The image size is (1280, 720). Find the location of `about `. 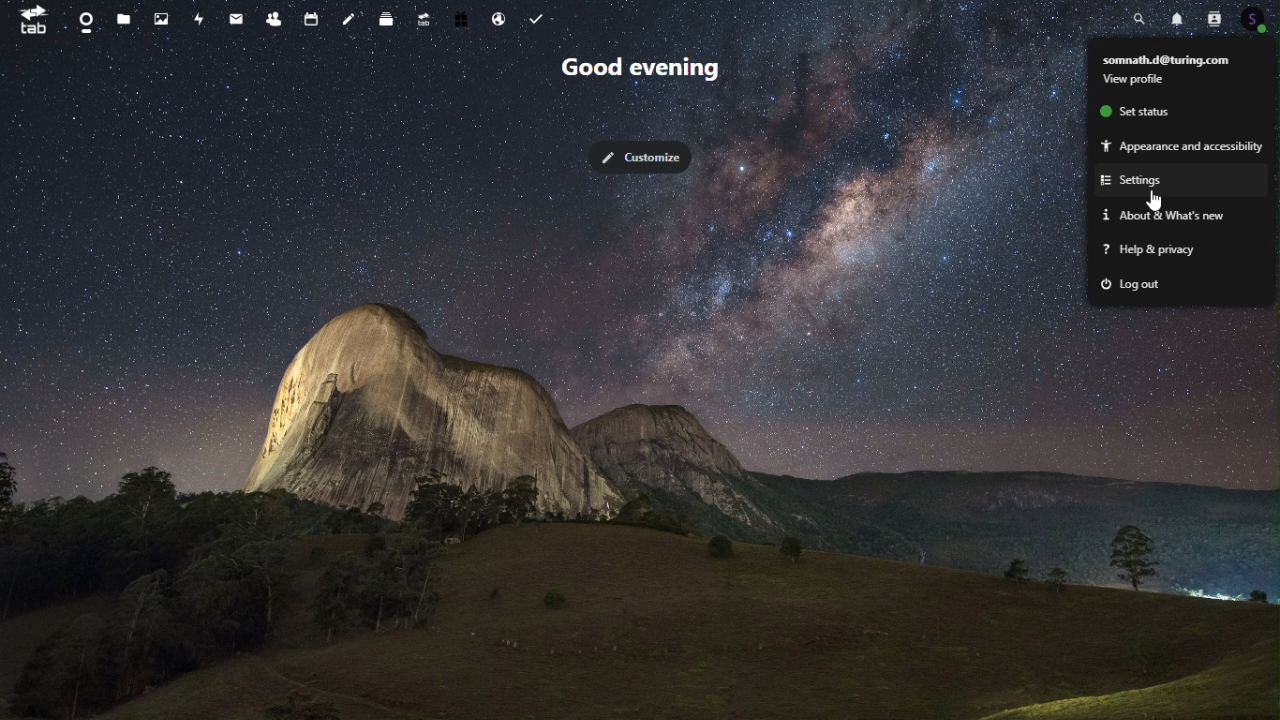

about  is located at coordinates (1182, 218).